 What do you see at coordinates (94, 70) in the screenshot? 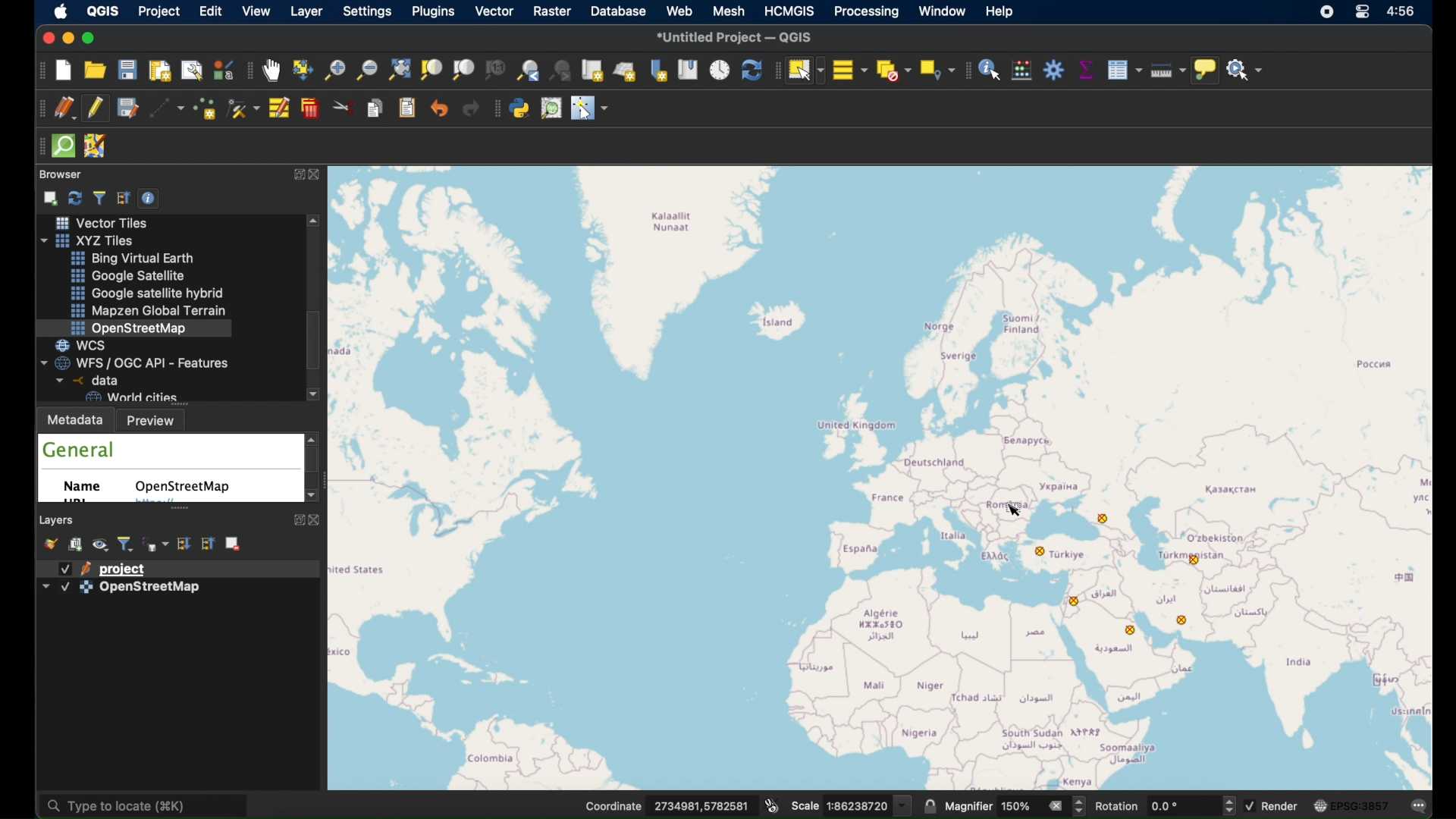
I see `open project` at bounding box center [94, 70].